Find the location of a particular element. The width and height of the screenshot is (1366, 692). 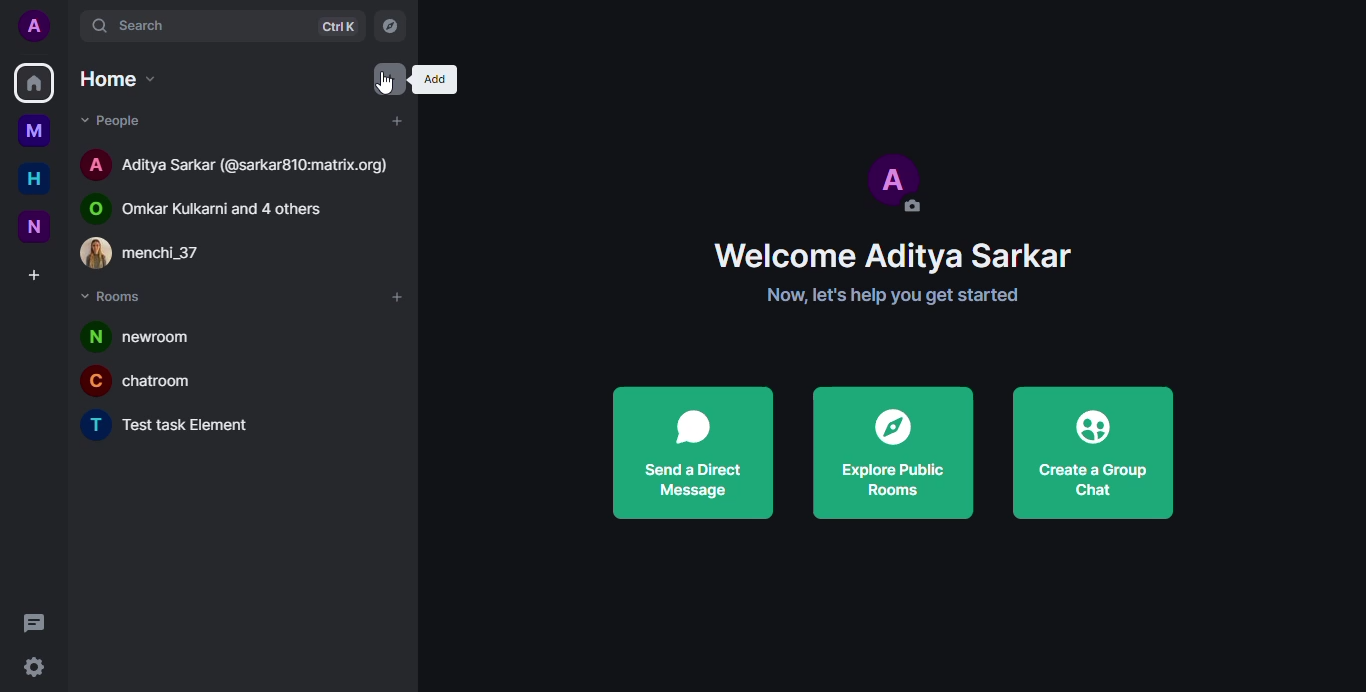

Aditya Sarkar room is located at coordinates (237, 162).